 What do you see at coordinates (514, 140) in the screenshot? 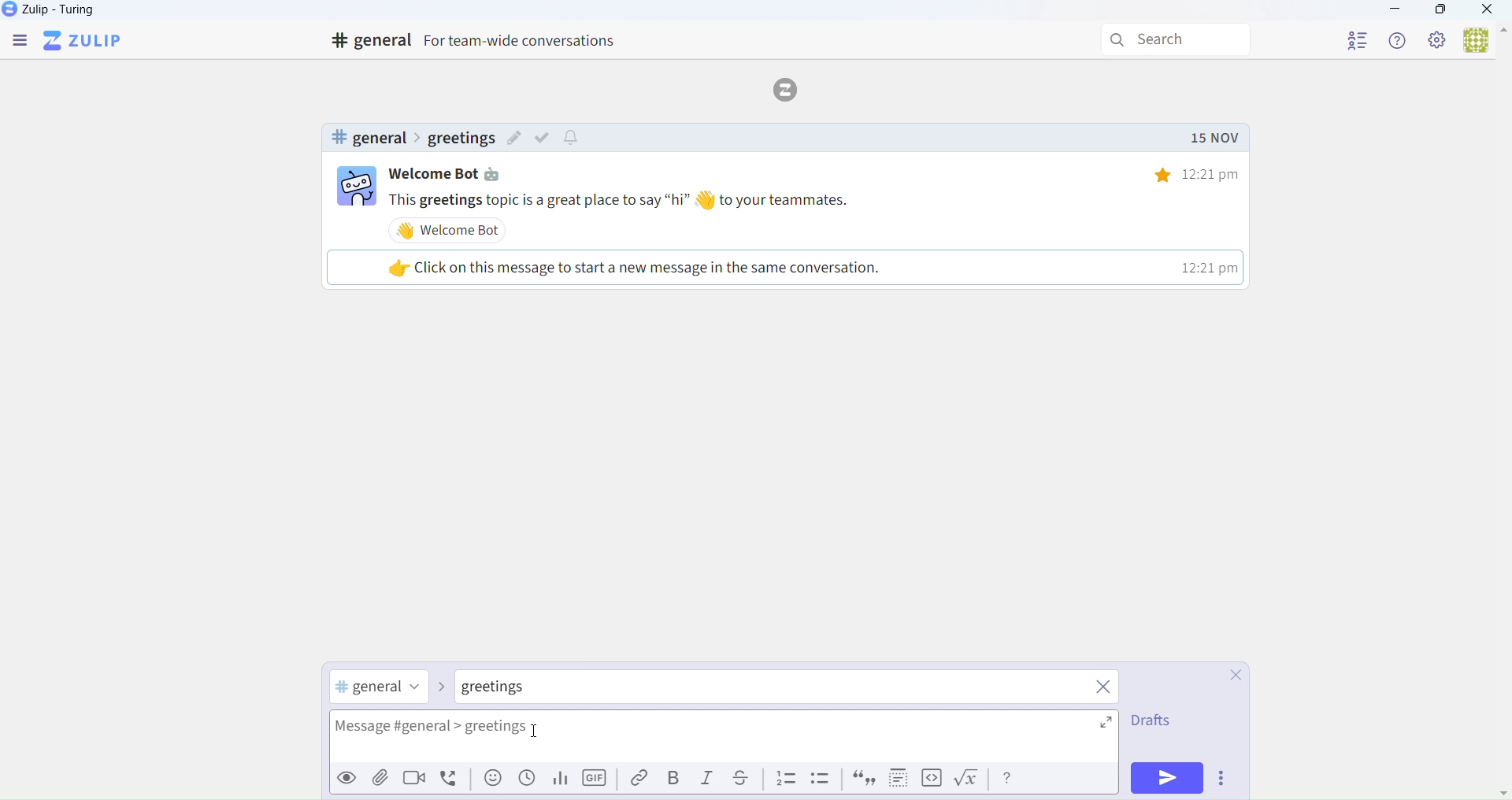
I see `edit` at bounding box center [514, 140].